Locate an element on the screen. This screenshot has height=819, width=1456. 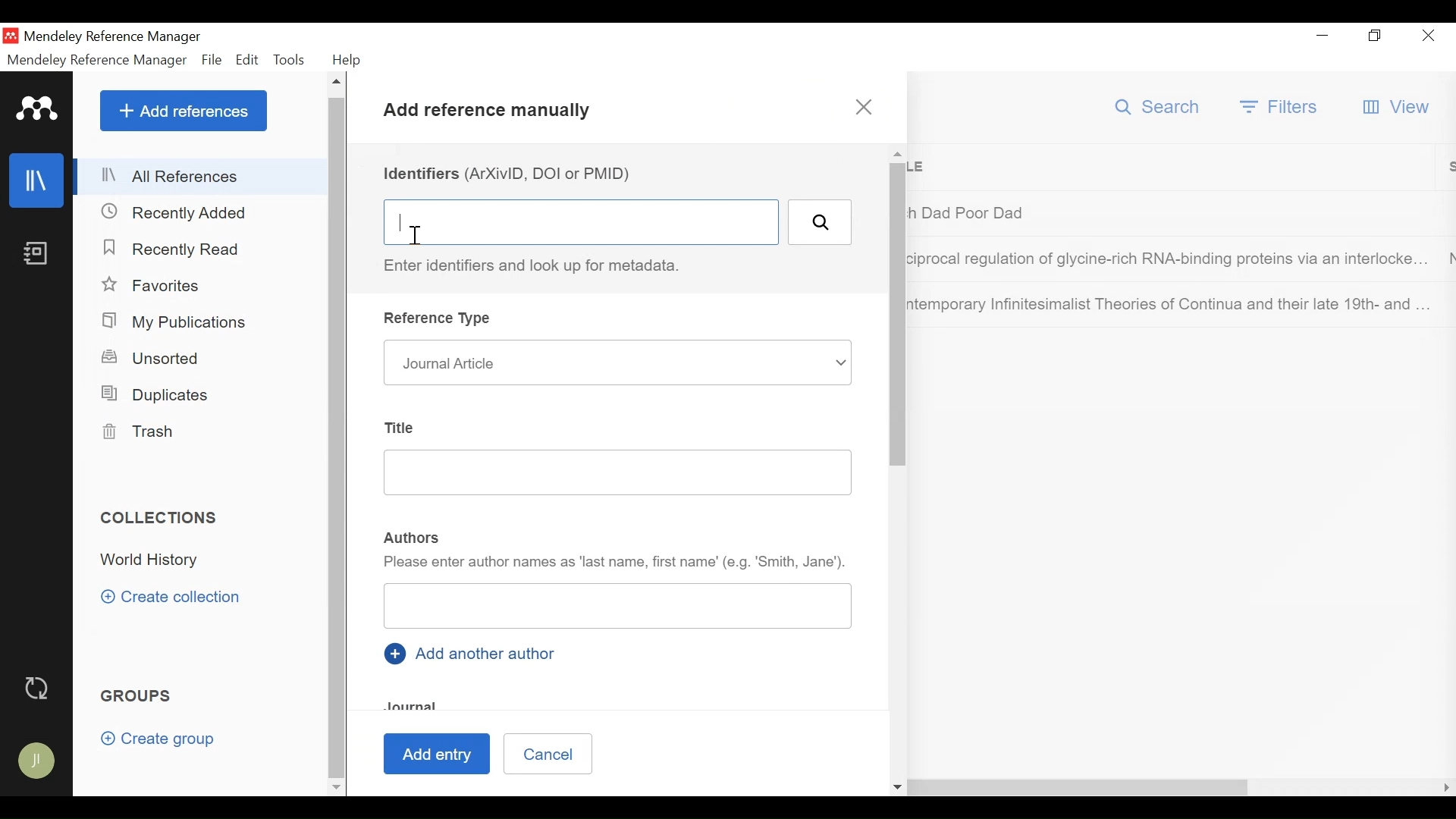
Reference Type Field is located at coordinates (617, 362).